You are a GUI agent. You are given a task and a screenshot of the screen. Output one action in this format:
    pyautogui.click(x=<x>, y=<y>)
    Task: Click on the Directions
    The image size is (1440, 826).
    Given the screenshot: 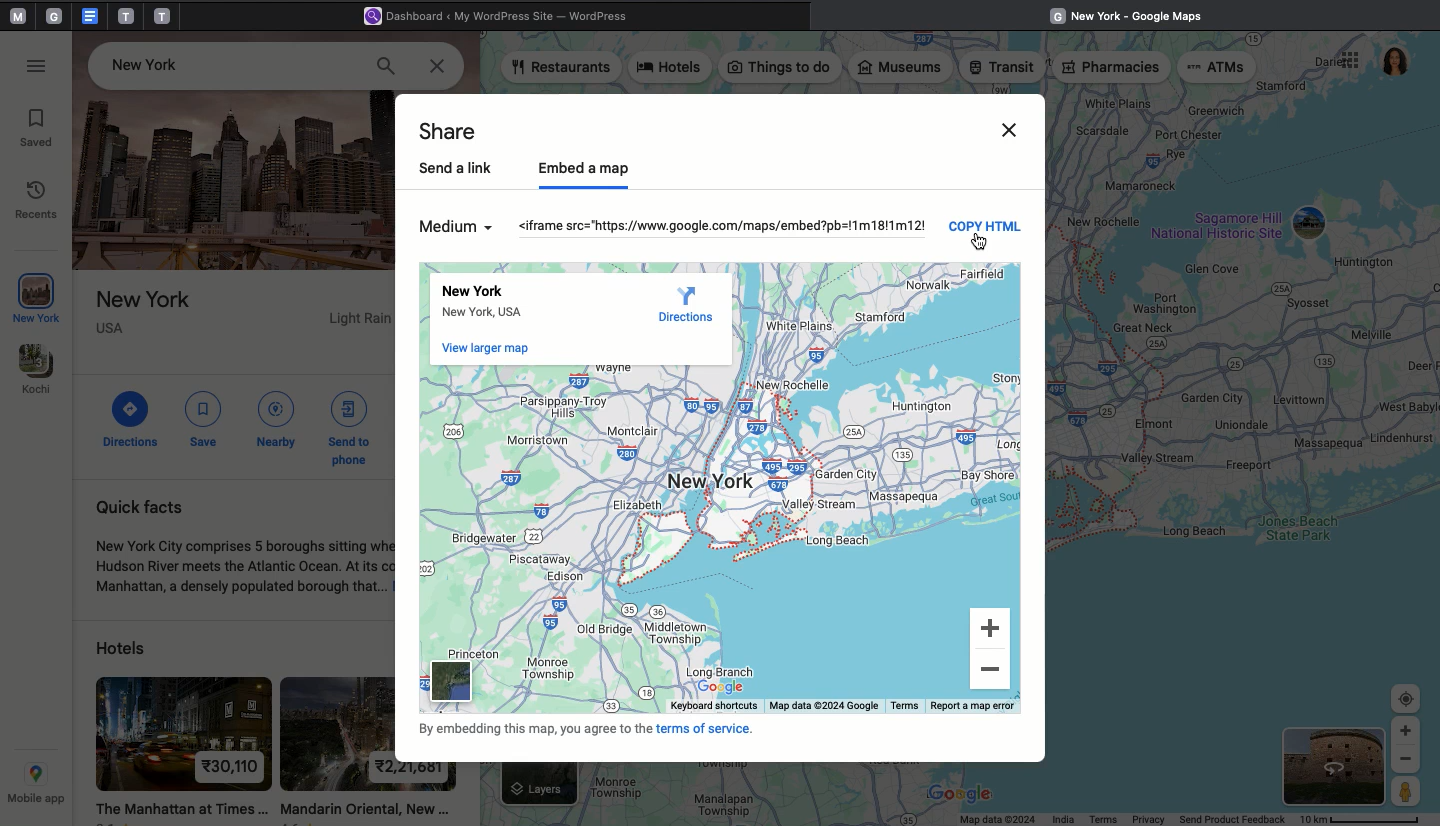 What is the action you would take?
    pyautogui.click(x=133, y=418)
    